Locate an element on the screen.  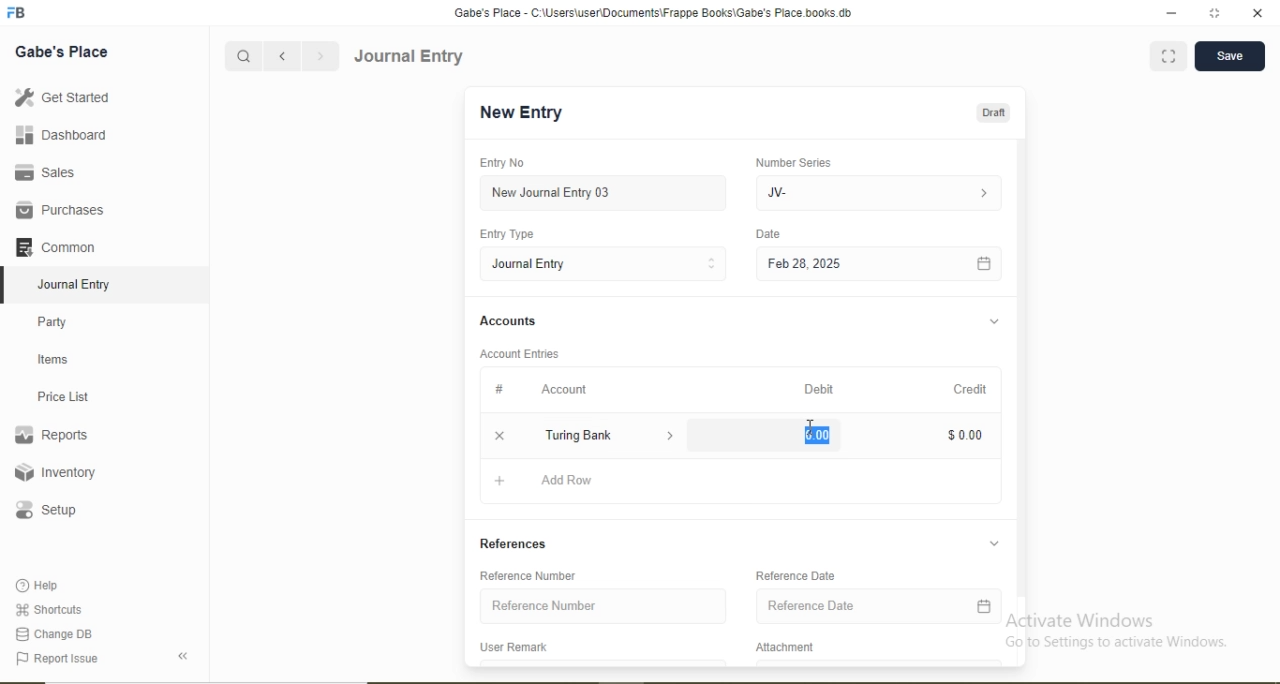
New Entry is located at coordinates (520, 113).